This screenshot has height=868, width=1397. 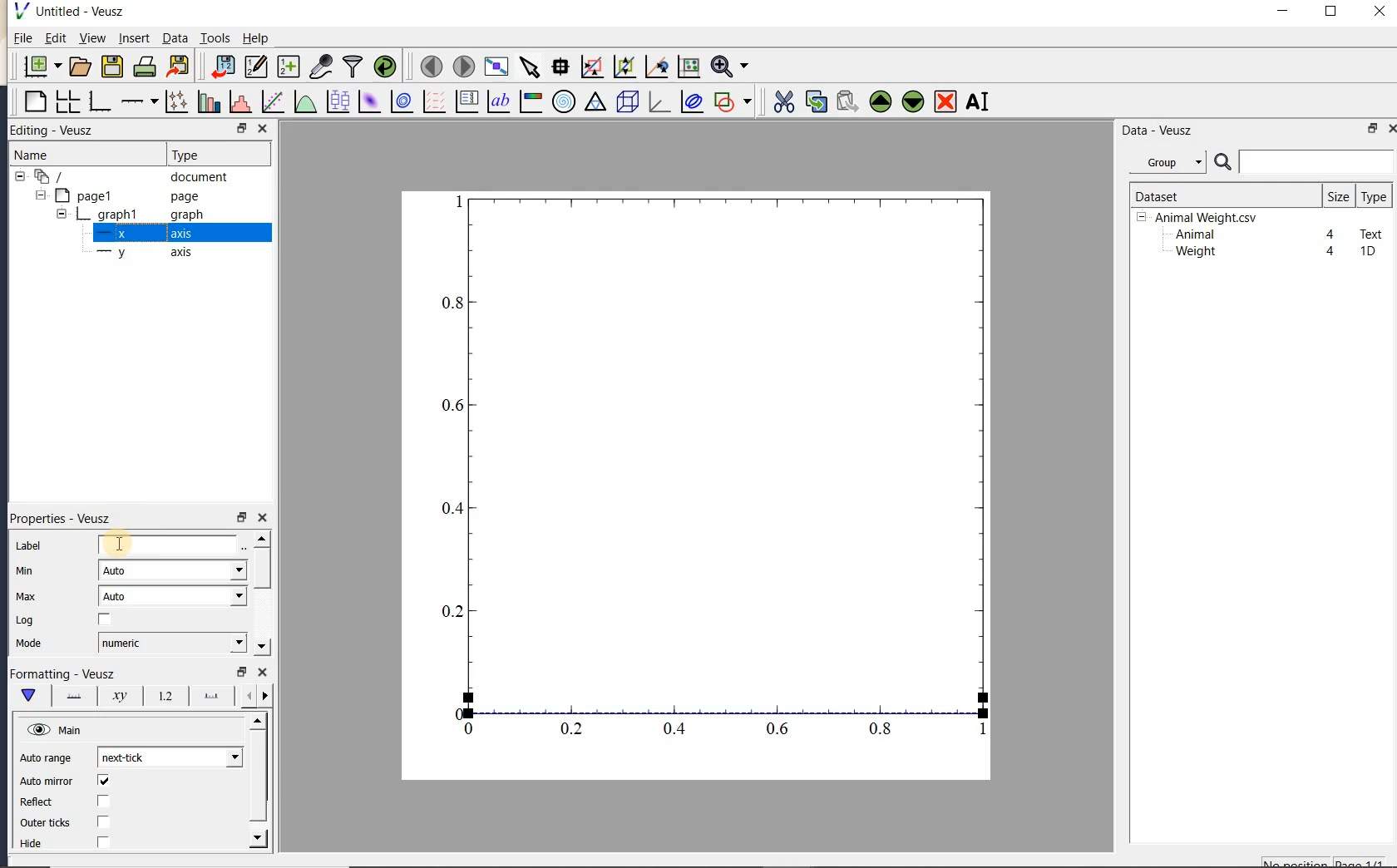 I want to click on Mode, so click(x=28, y=644).